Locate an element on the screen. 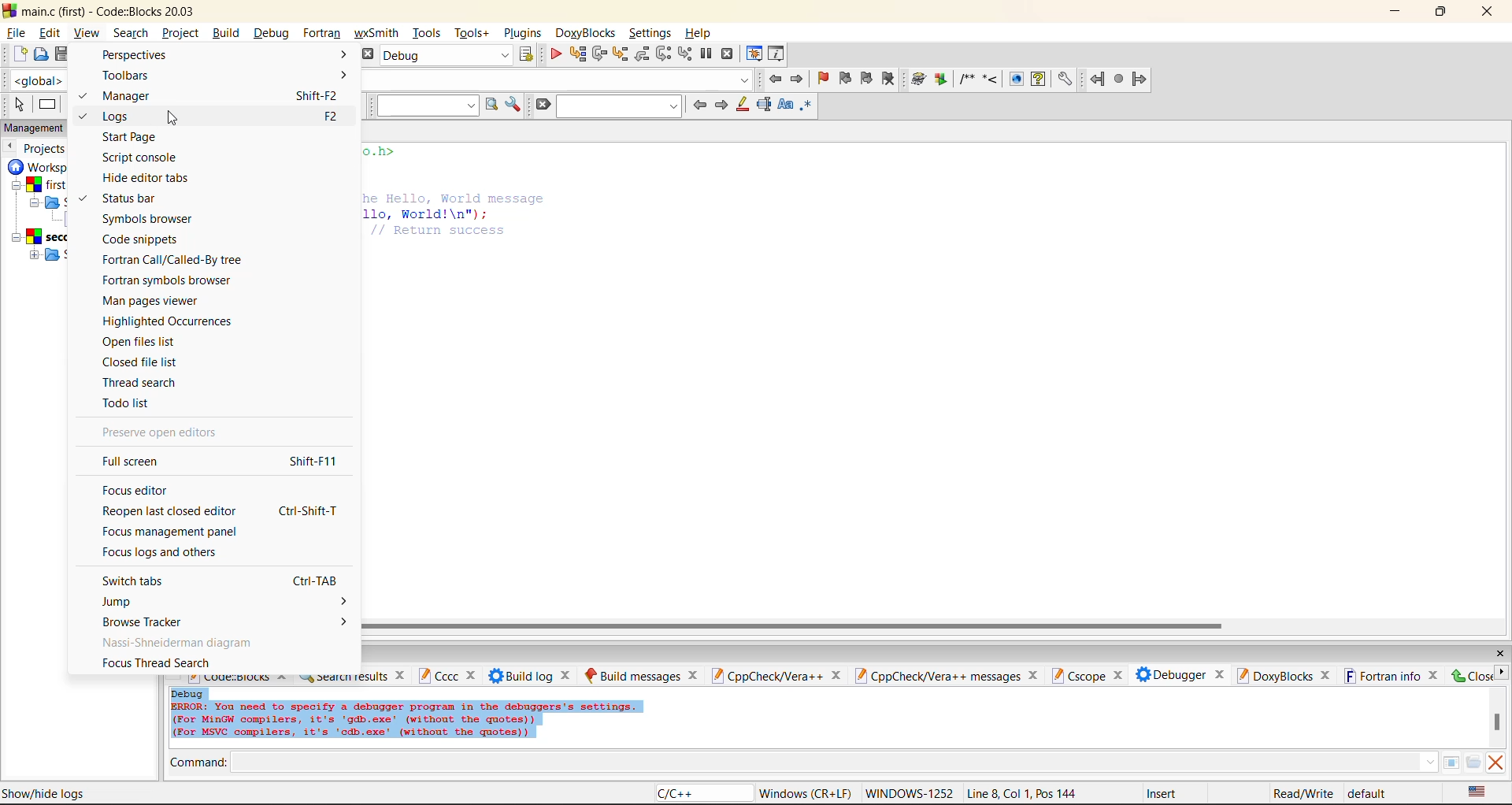 This screenshot has width=1512, height=805. vertical scroll bar is located at coordinates (1497, 724).